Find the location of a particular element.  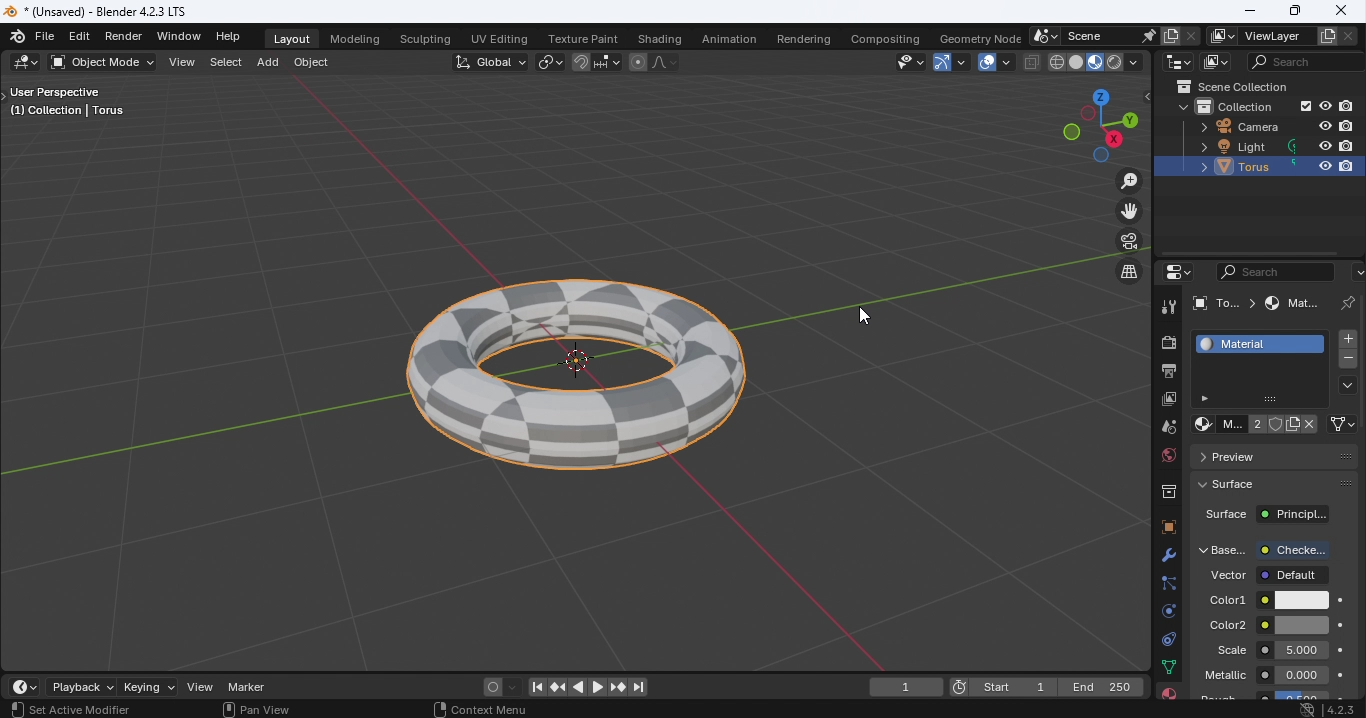

Toggle the camera view is located at coordinates (1133, 241).